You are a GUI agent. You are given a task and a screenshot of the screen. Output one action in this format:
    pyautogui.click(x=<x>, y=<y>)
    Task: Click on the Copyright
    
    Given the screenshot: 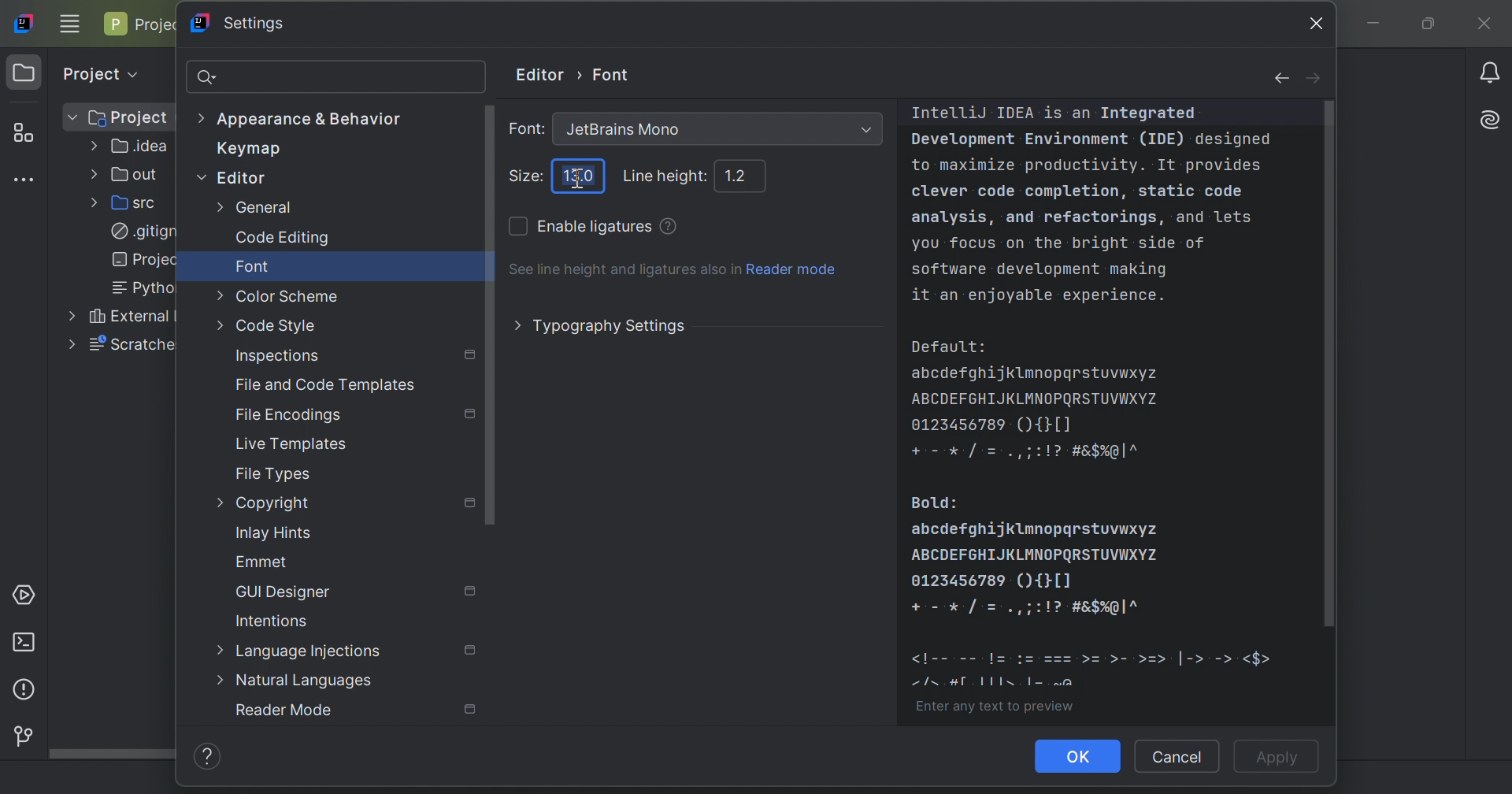 What is the action you would take?
    pyautogui.click(x=265, y=504)
    